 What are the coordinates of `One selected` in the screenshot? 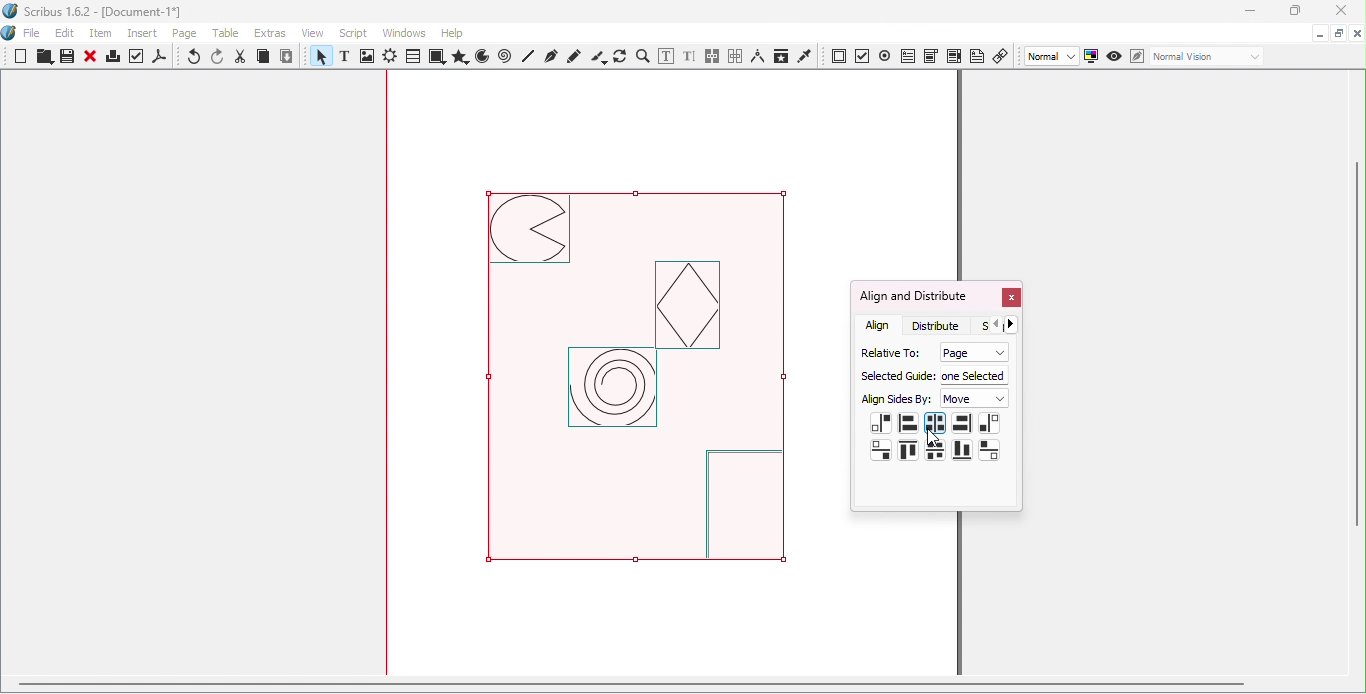 It's located at (975, 374).